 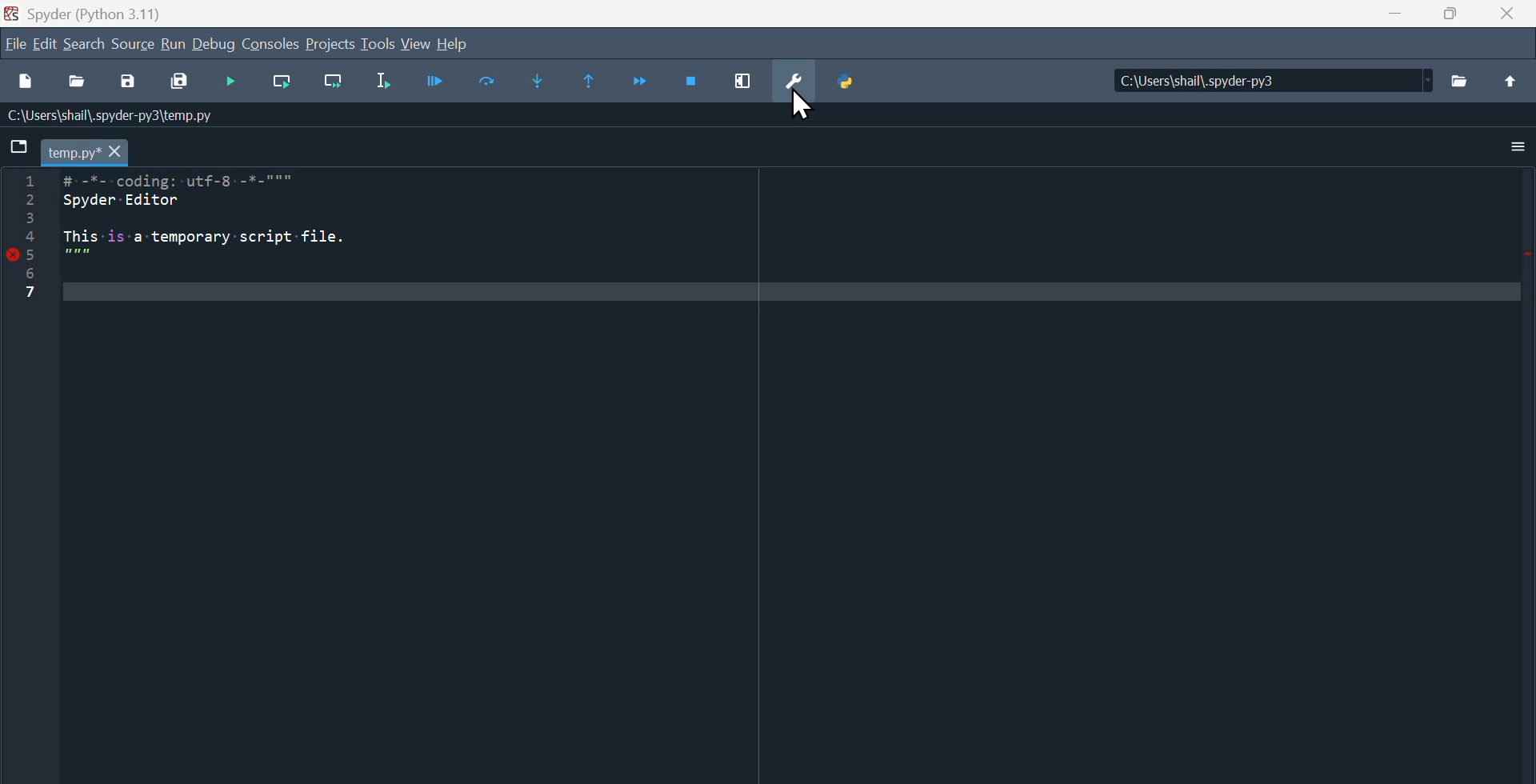 What do you see at coordinates (87, 48) in the screenshot?
I see `Search` at bounding box center [87, 48].